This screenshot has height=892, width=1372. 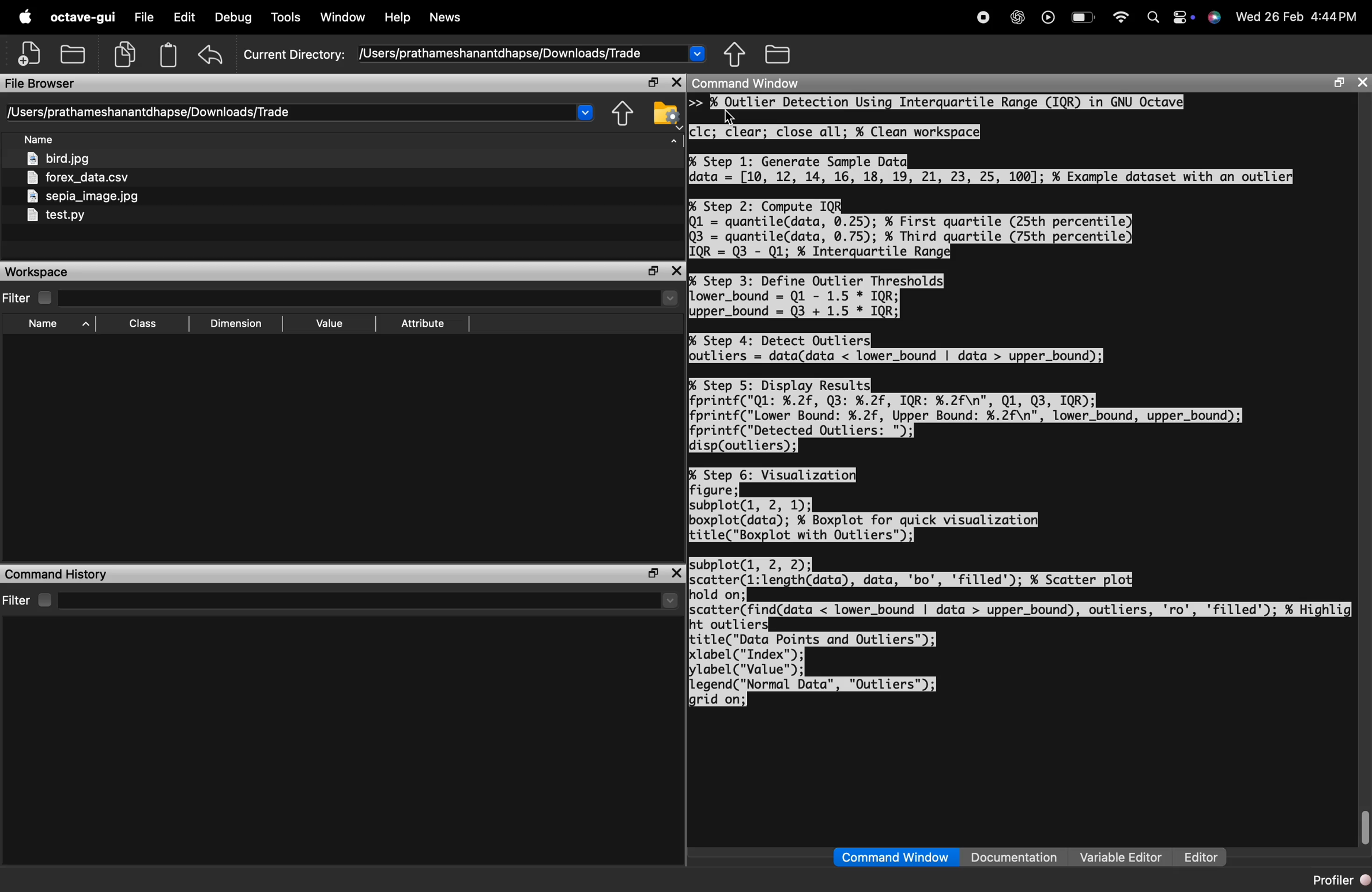 I want to click on % Step 6: Visualization]

figure;

subplot(l, 2, 1);

boxplot(data); % Boxplot for quick visualization)
title("Boxplot with Outliers");, so click(x=863, y=505).